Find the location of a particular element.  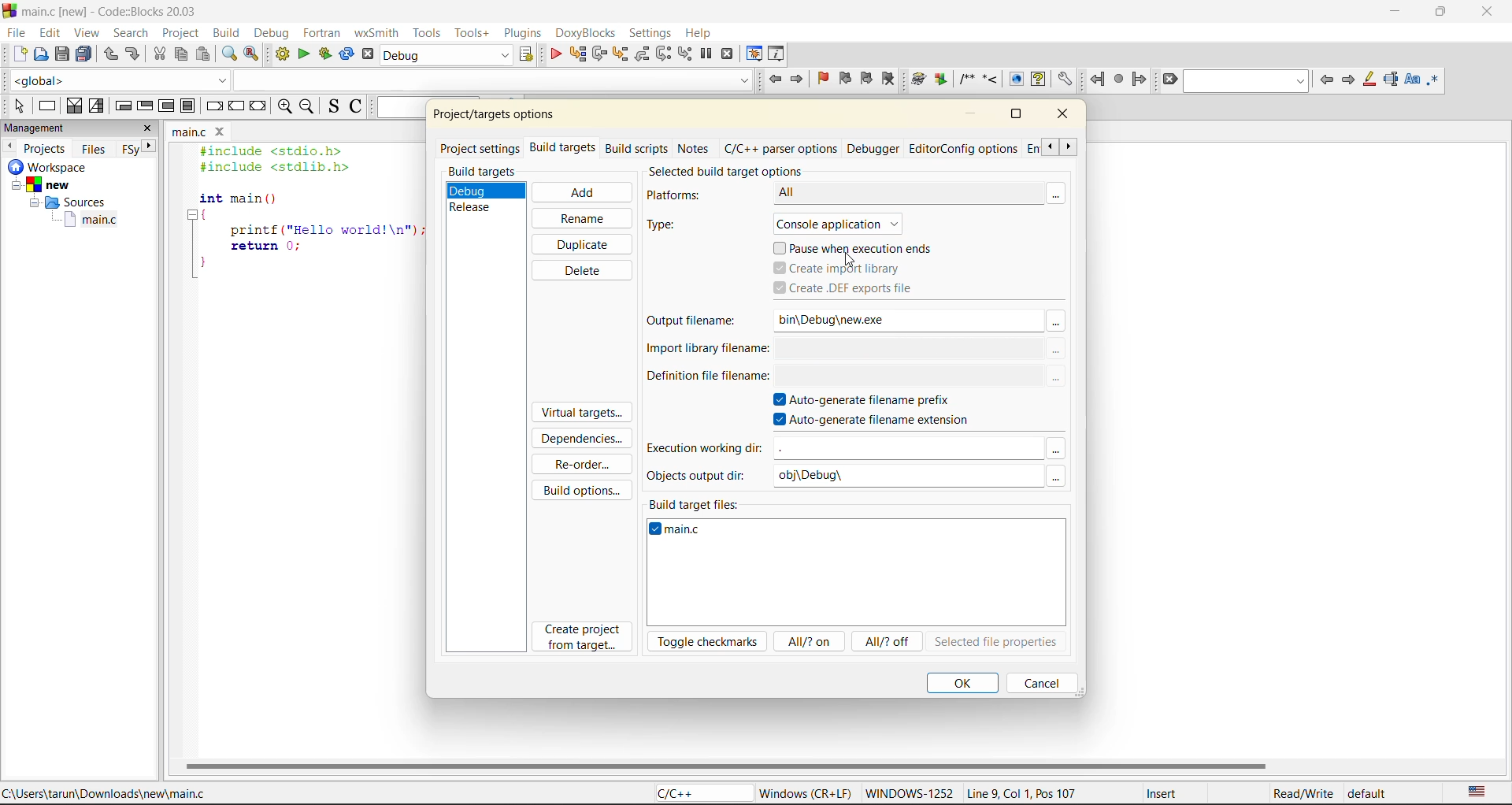

Close is located at coordinates (223, 132).